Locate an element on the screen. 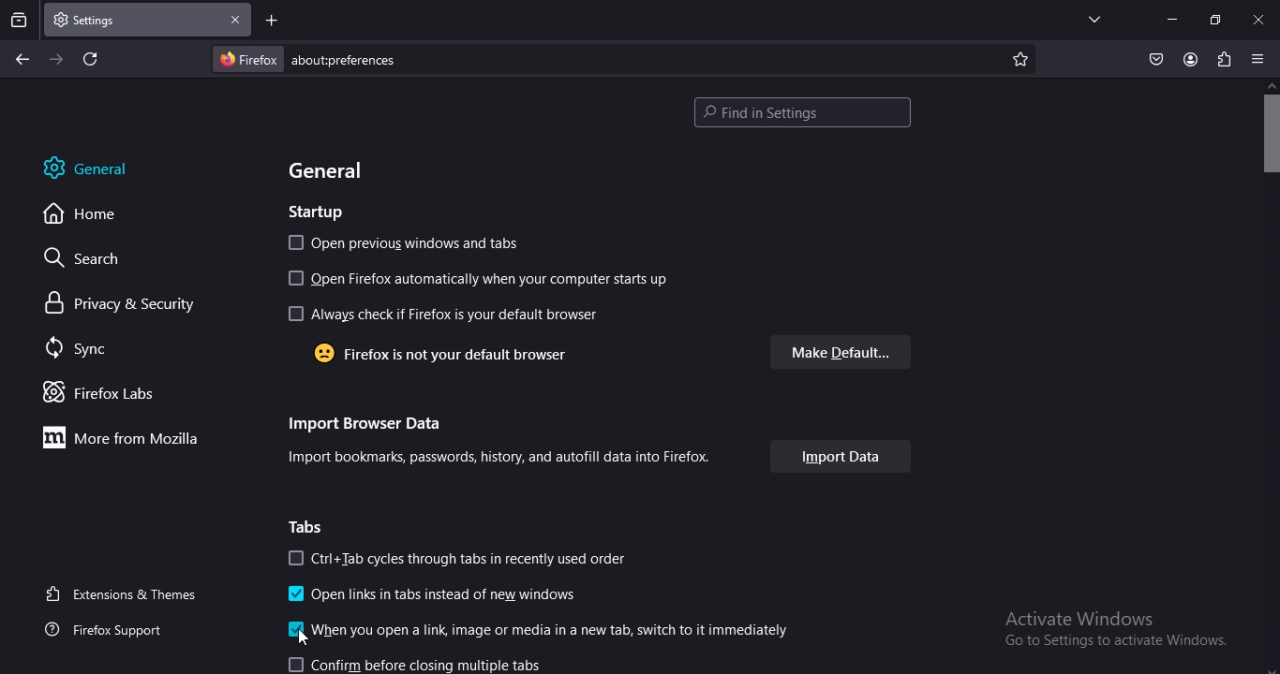  general is located at coordinates (85, 168).